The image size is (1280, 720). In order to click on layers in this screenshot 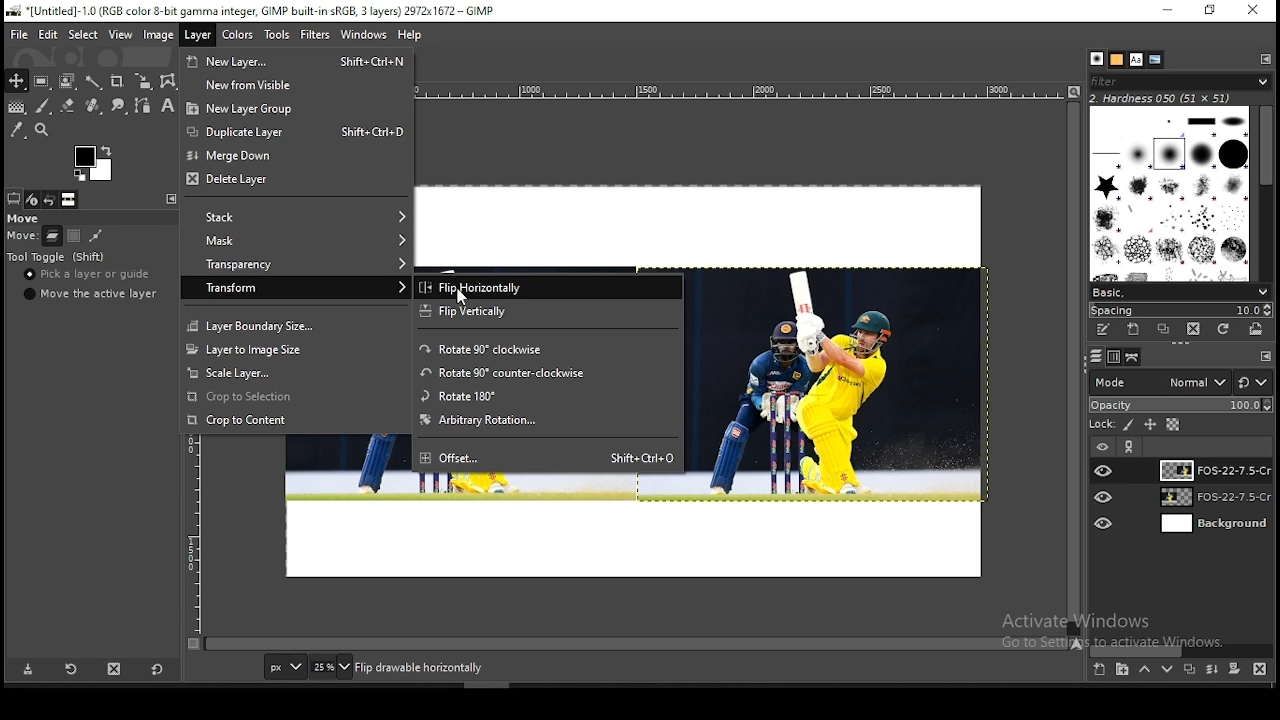, I will do `click(1094, 357)`.